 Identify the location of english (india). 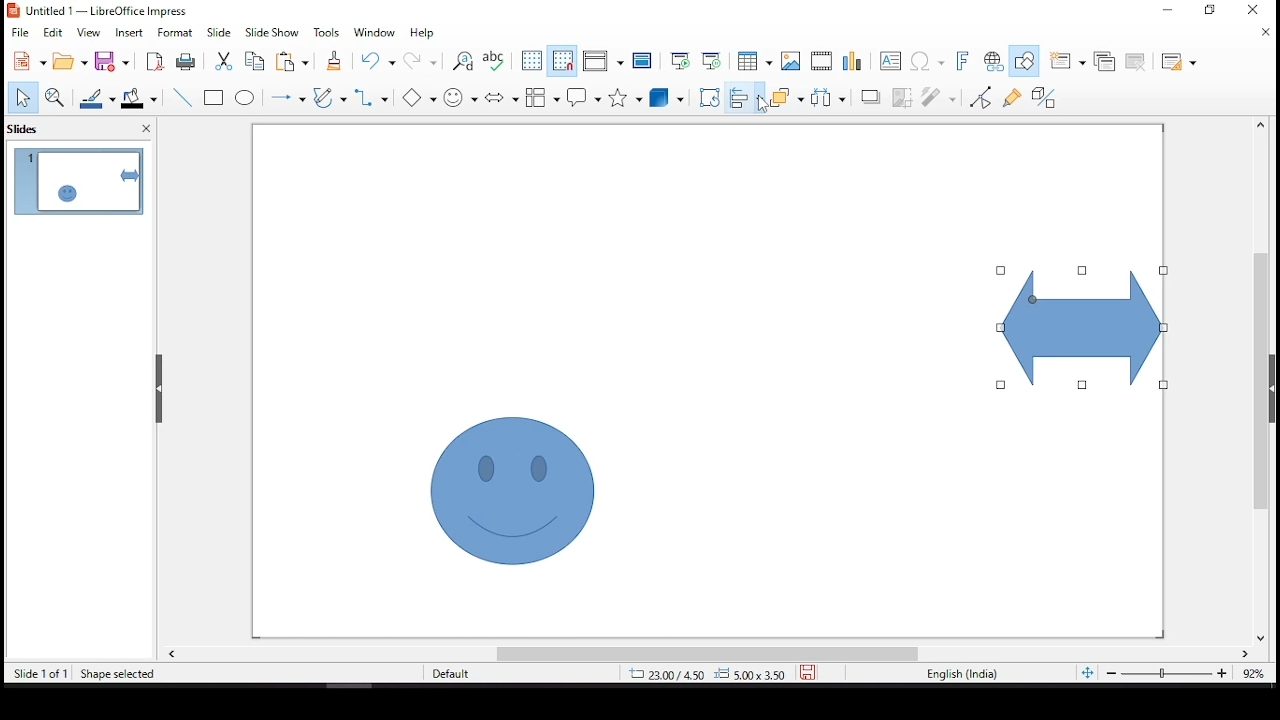
(962, 675).